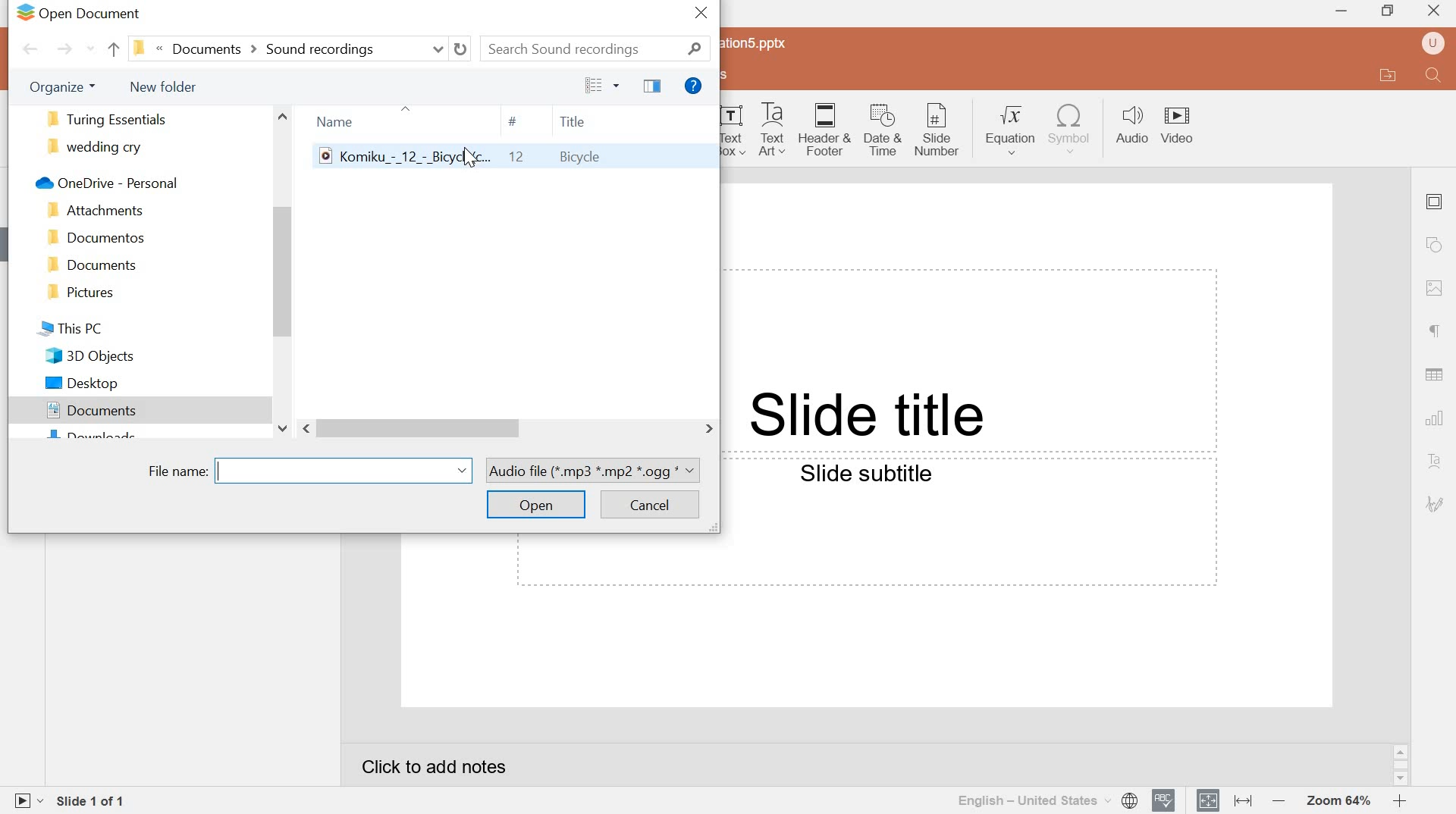 This screenshot has height=814, width=1456. What do you see at coordinates (1209, 799) in the screenshot?
I see `Fit to slide` at bounding box center [1209, 799].